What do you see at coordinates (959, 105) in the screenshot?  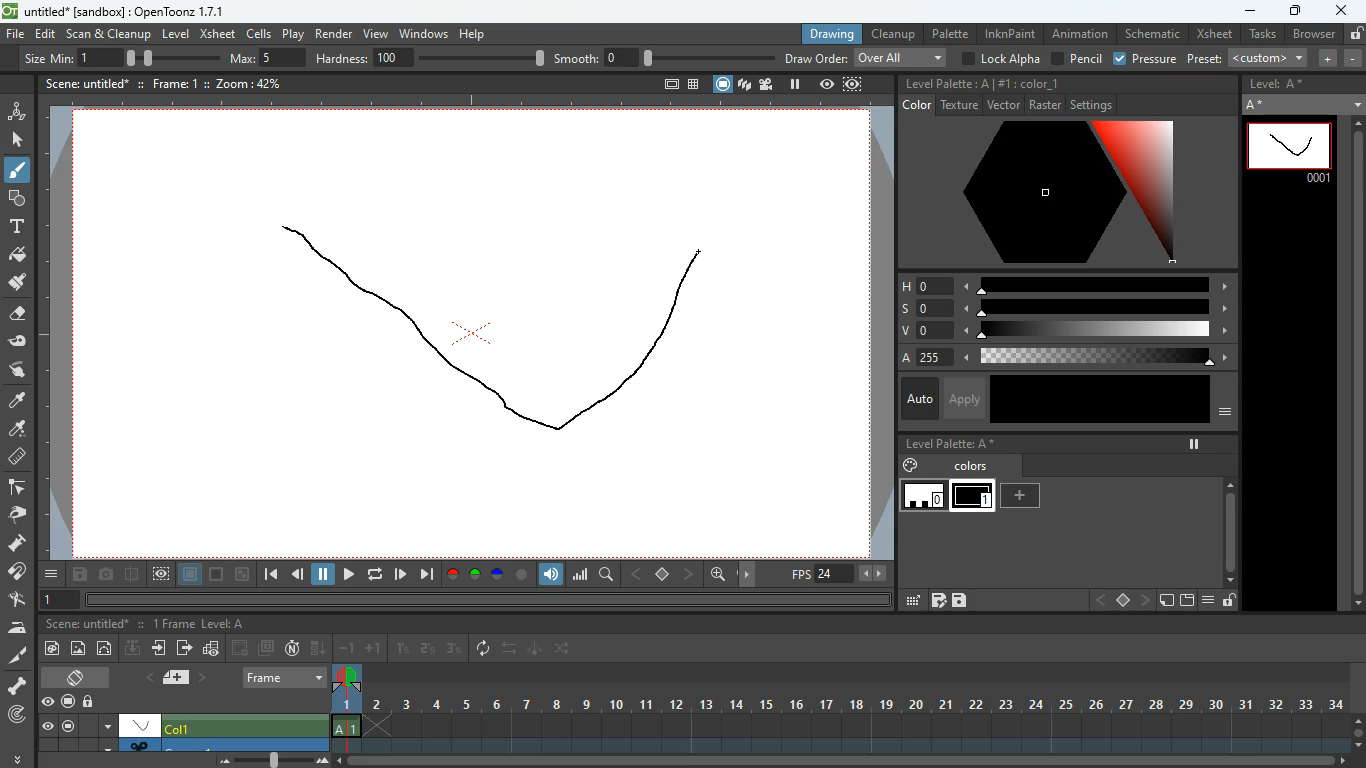 I see `texture` at bounding box center [959, 105].